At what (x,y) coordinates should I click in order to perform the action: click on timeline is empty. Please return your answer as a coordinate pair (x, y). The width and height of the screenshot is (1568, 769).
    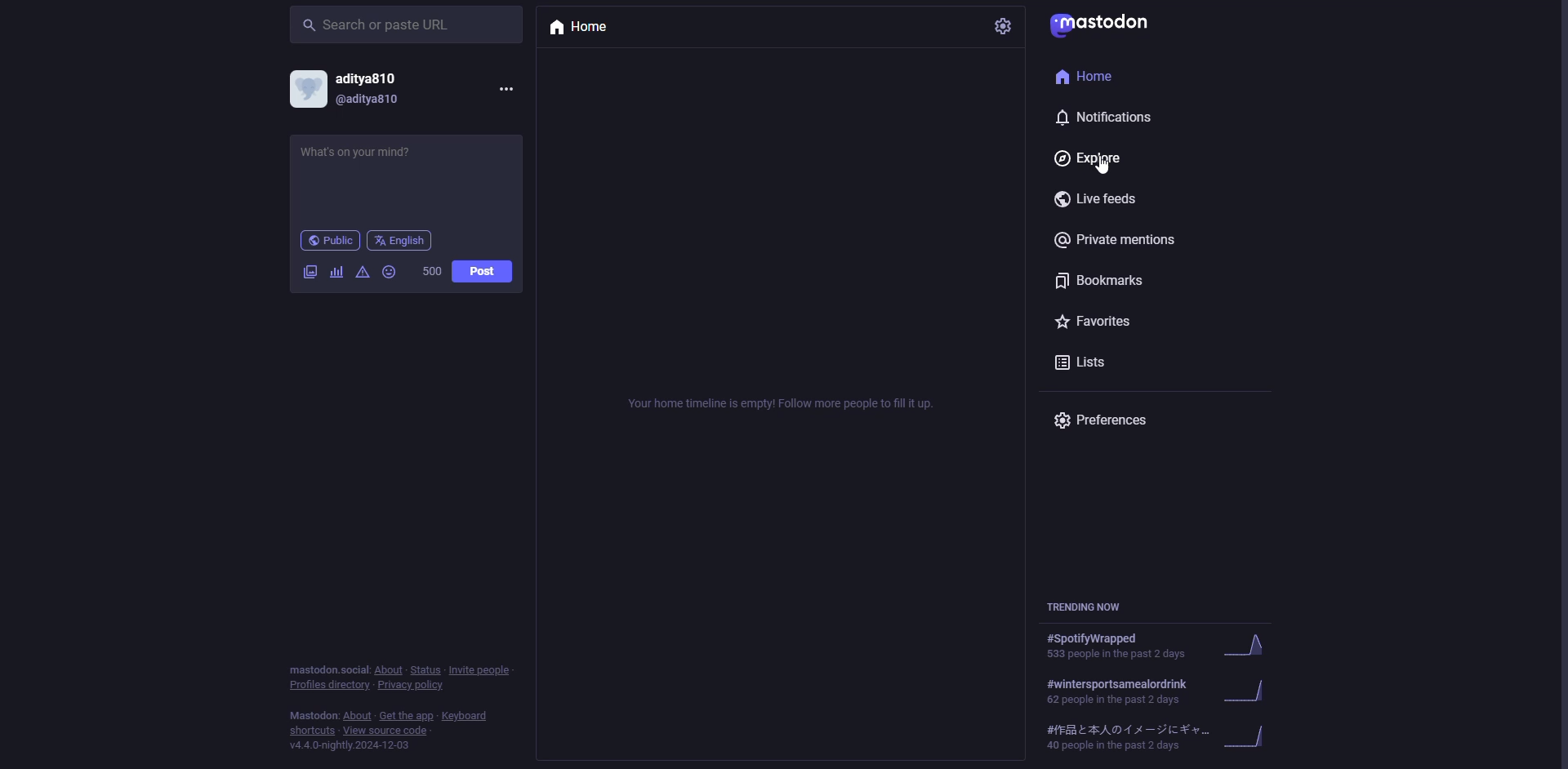
    Looking at the image, I should click on (786, 405).